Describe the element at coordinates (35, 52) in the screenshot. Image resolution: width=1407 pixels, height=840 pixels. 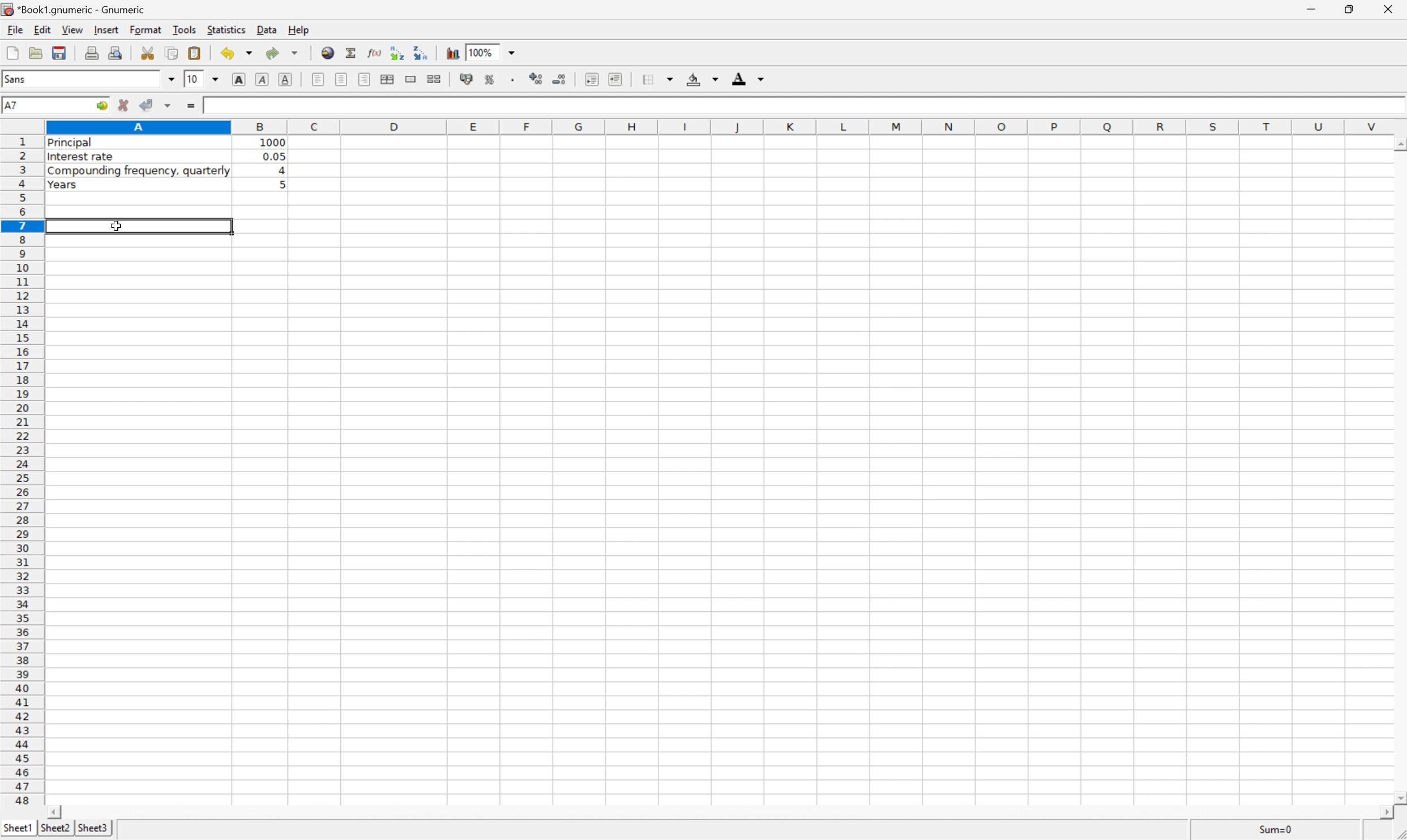
I see `open` at that location.